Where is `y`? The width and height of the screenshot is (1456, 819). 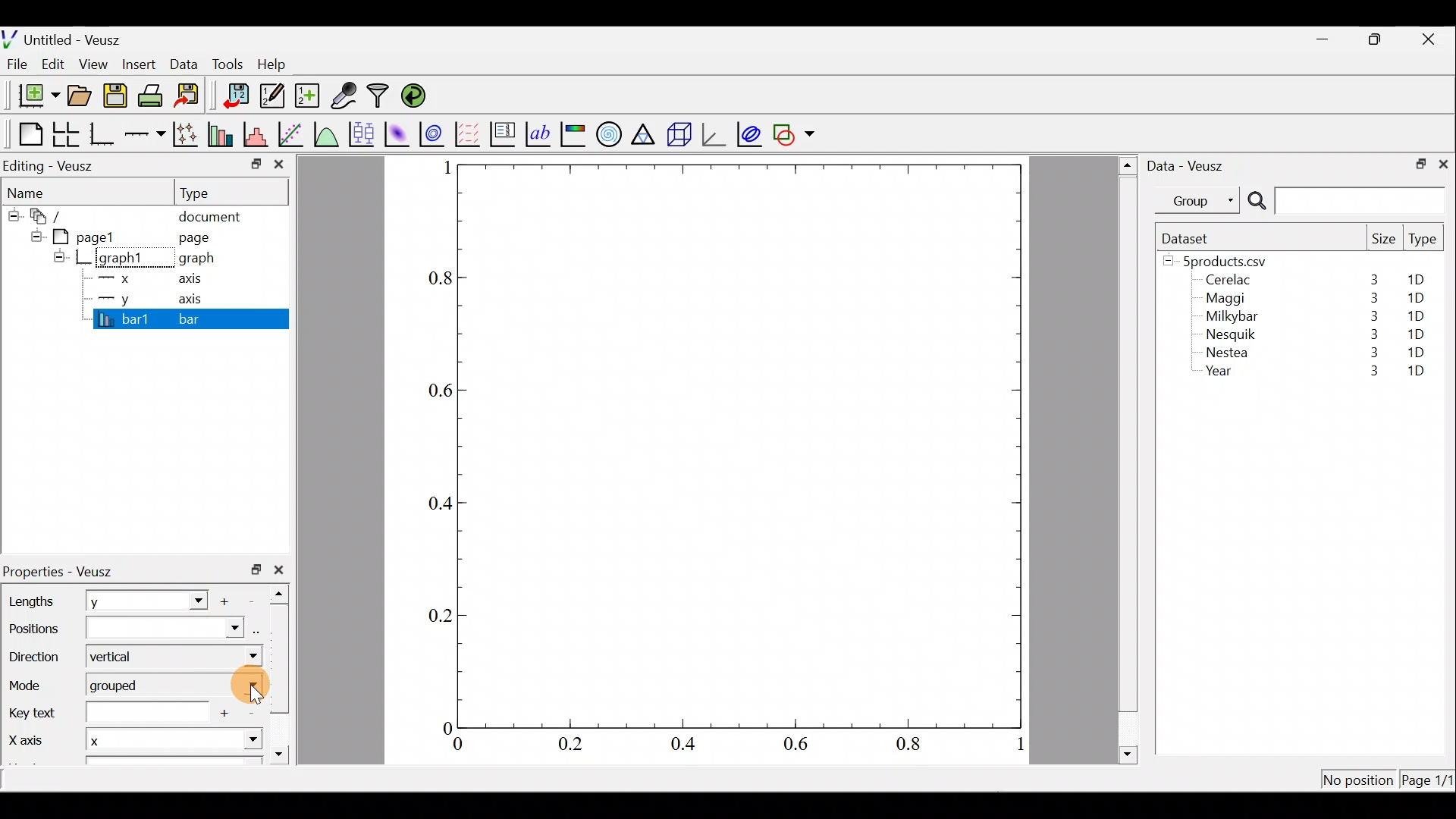
y is located at coordinates (114, 297).